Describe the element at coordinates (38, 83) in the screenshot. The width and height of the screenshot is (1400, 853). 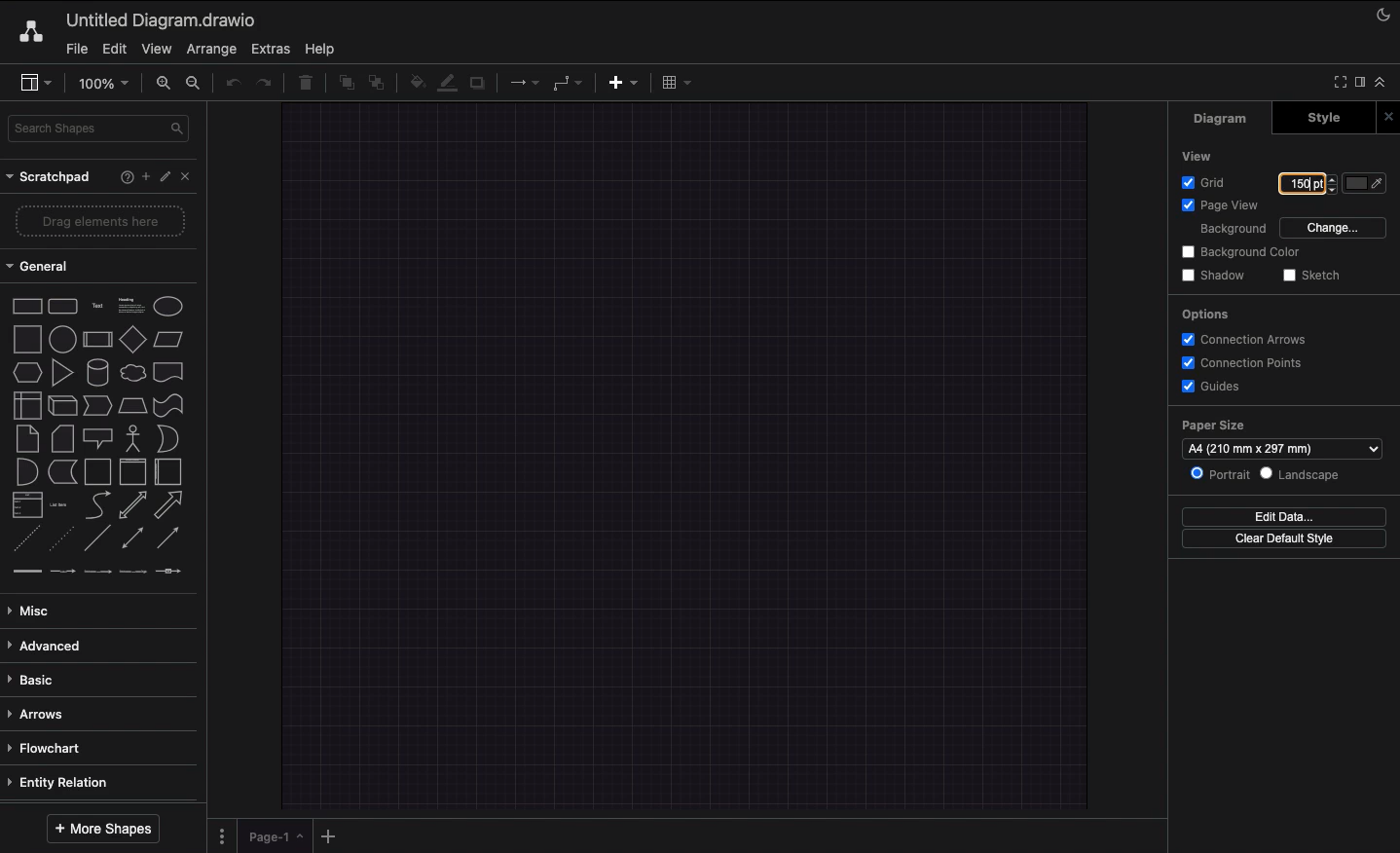
I see `Sidebar` at that location.